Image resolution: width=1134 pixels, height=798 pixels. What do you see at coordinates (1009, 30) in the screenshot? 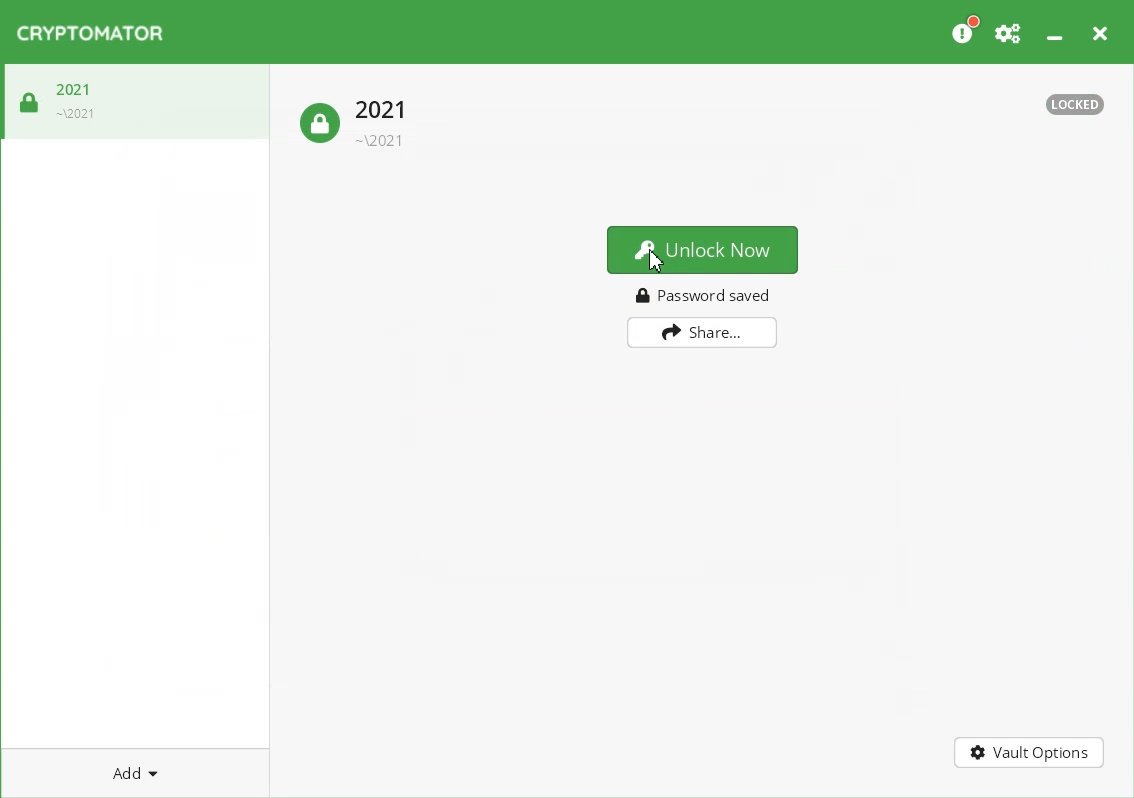
I see `Preferences` at bounding box center [1009, 30].